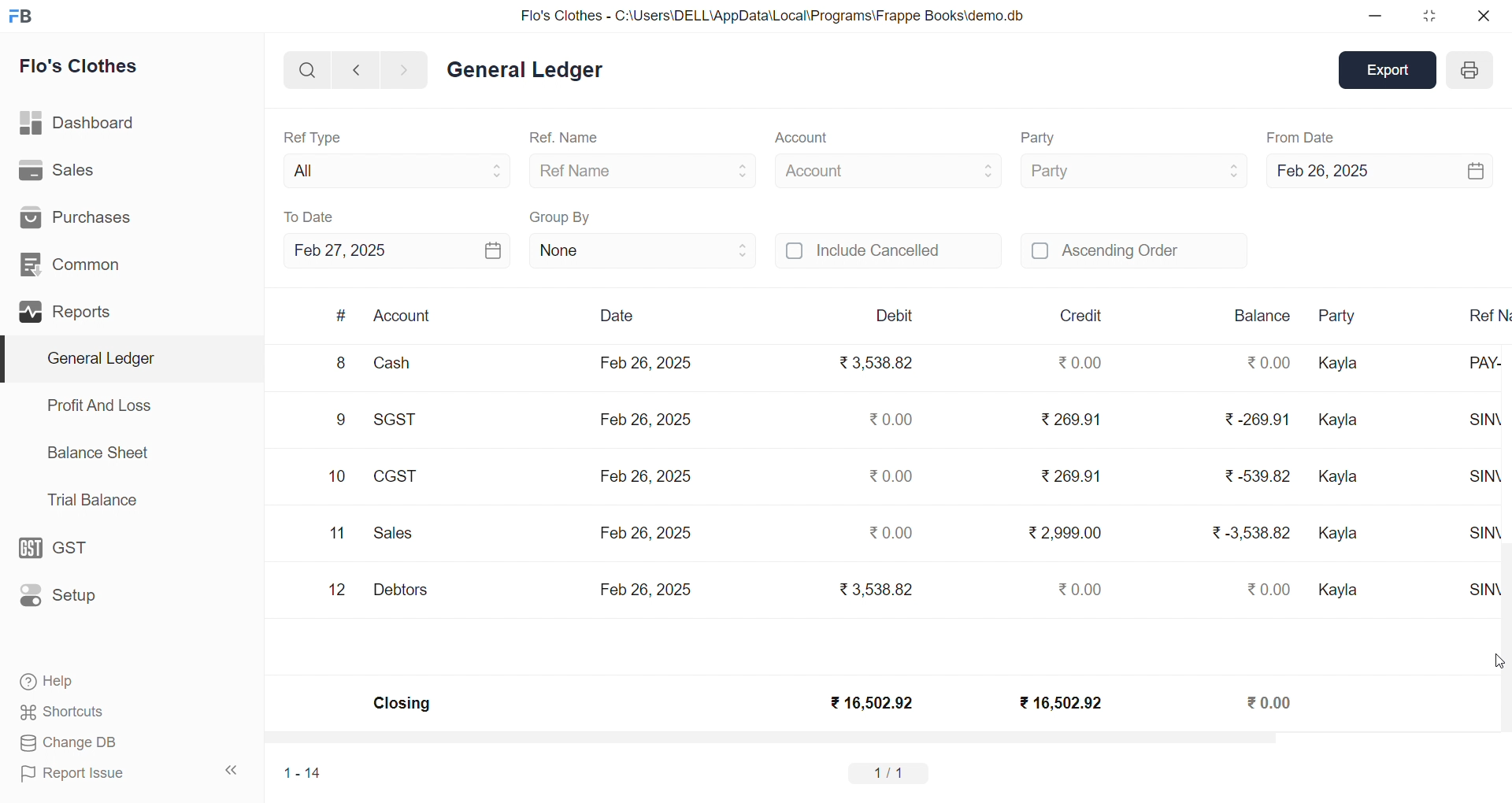  Describe the element at coordinates (1391, 68) in the screenshot. I see `Export` at that location.